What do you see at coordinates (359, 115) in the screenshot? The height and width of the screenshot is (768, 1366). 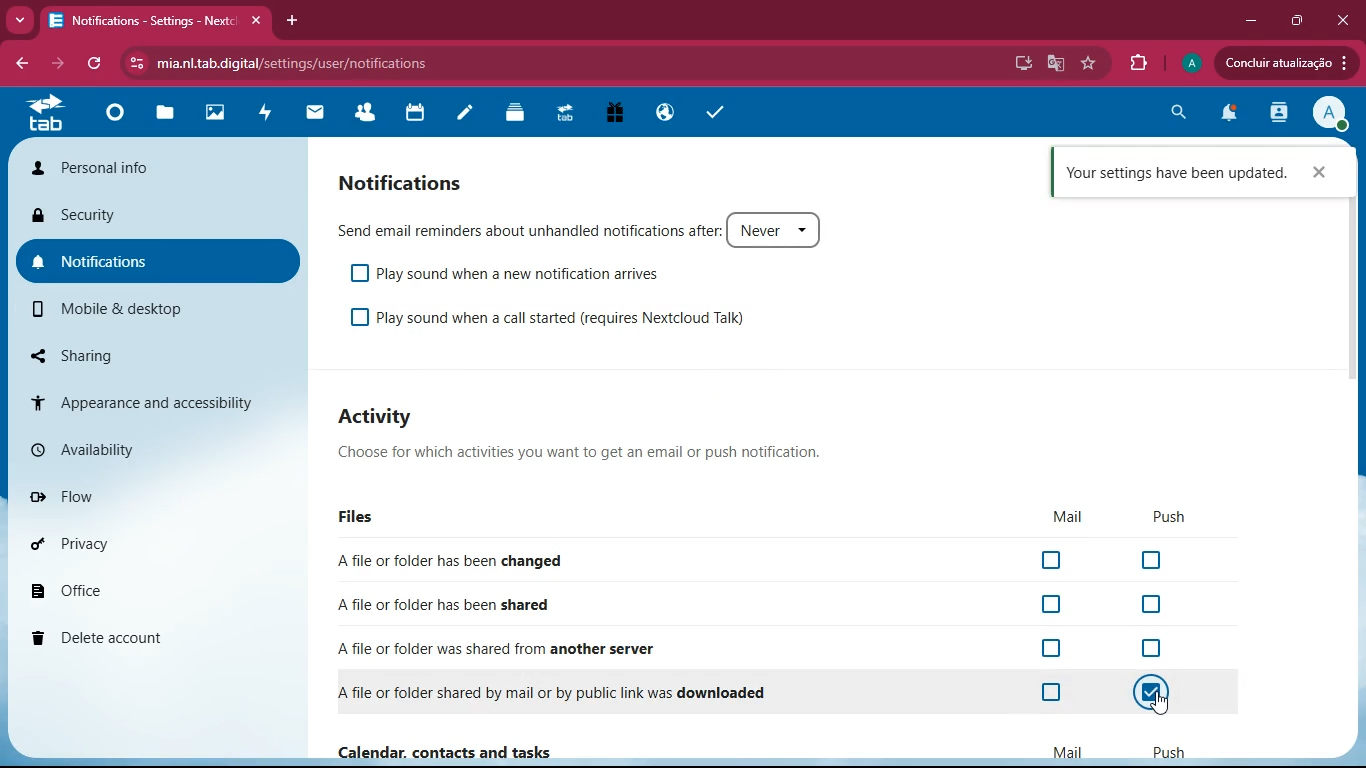 I see `friends` at bounding box center [359, 115].